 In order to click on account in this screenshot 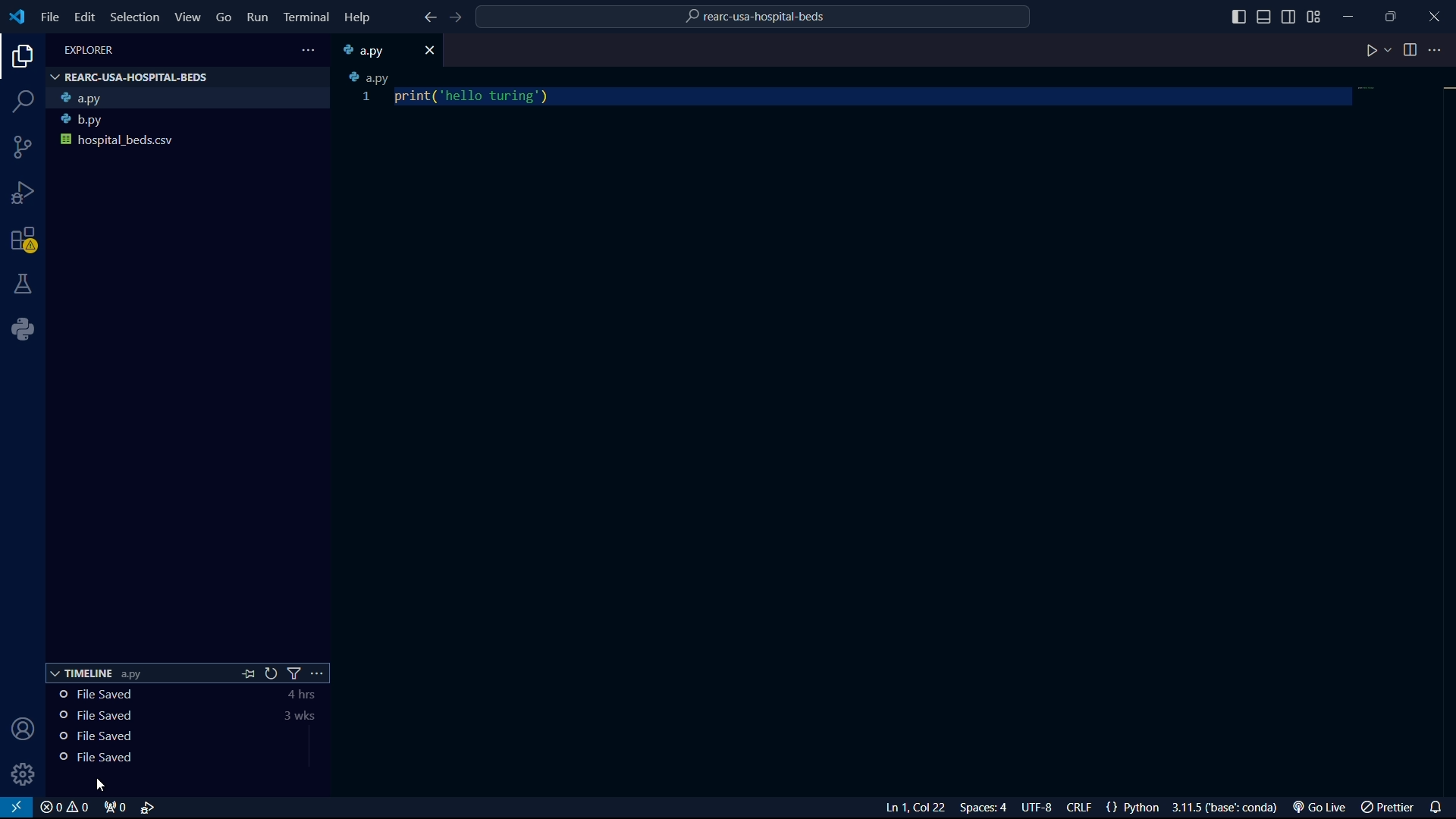, I will do `click(24, 731)`.